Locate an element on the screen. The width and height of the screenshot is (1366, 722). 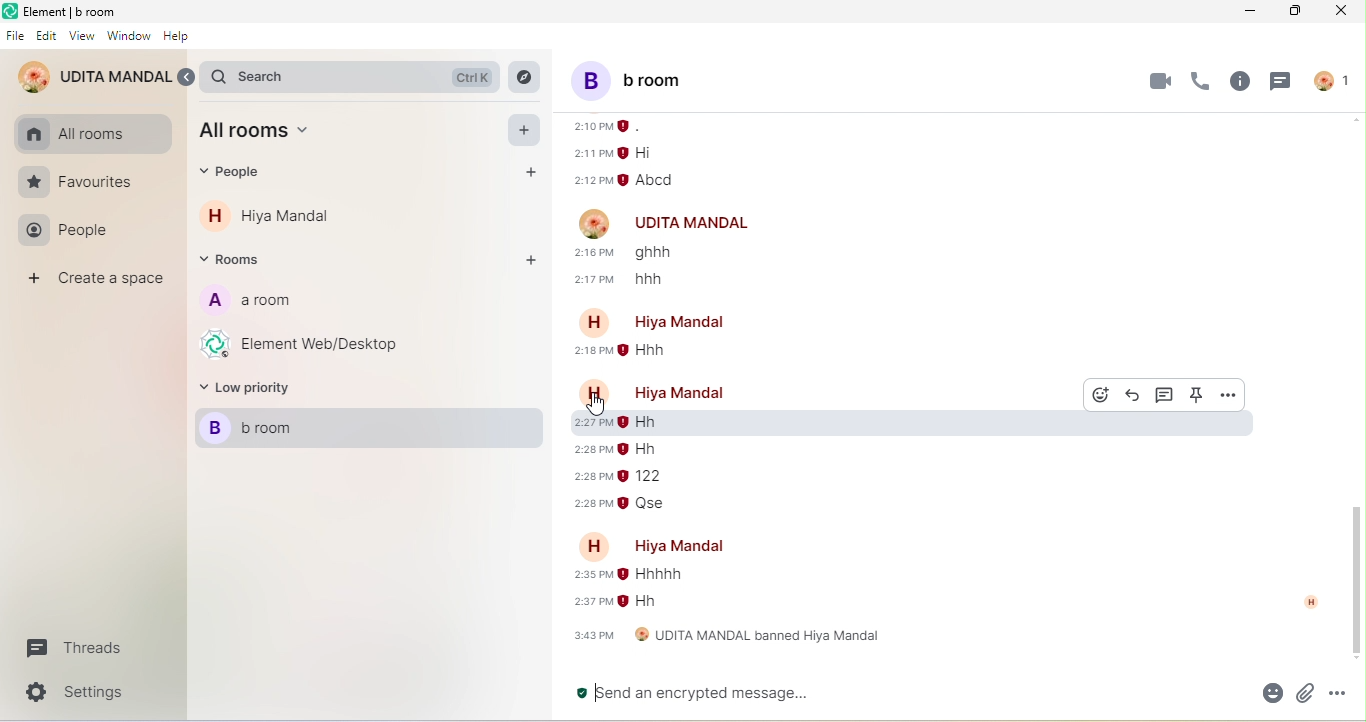
account name-hiya mandal is located at coordinates (663, 545).